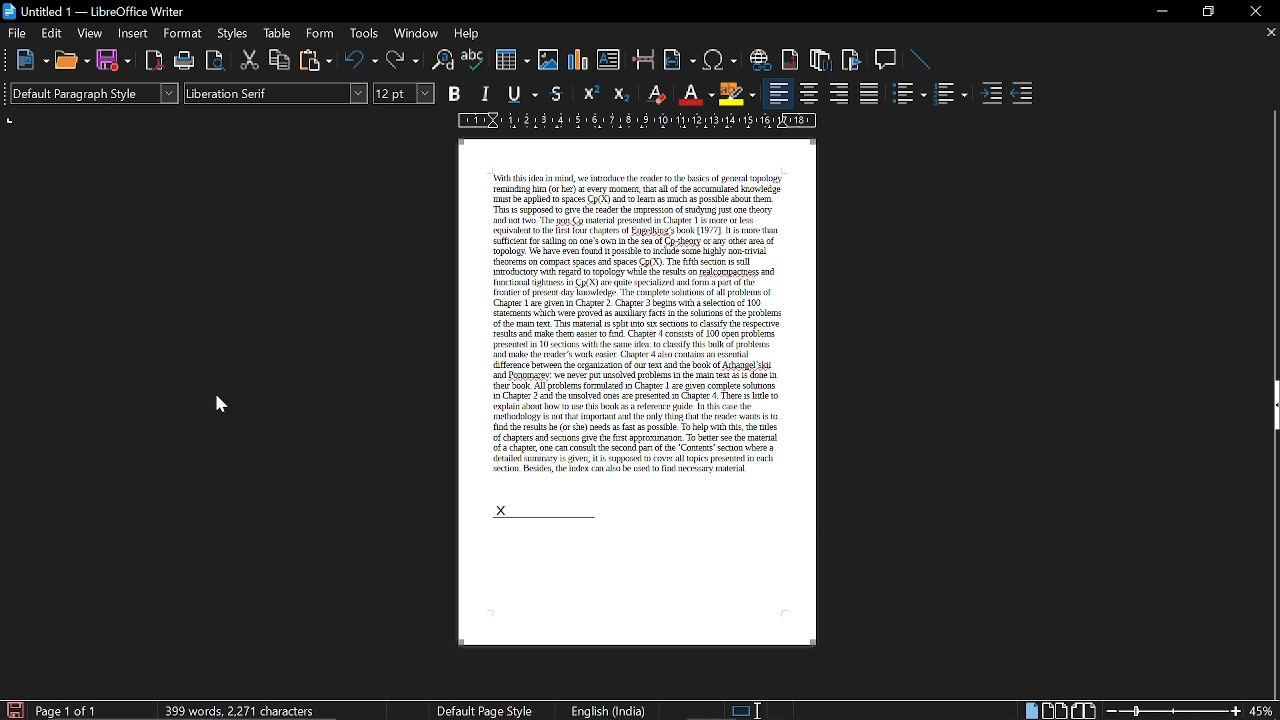 The height and width of the screenshot is (720, 1280). I want to click on cut , so click(250, 61).